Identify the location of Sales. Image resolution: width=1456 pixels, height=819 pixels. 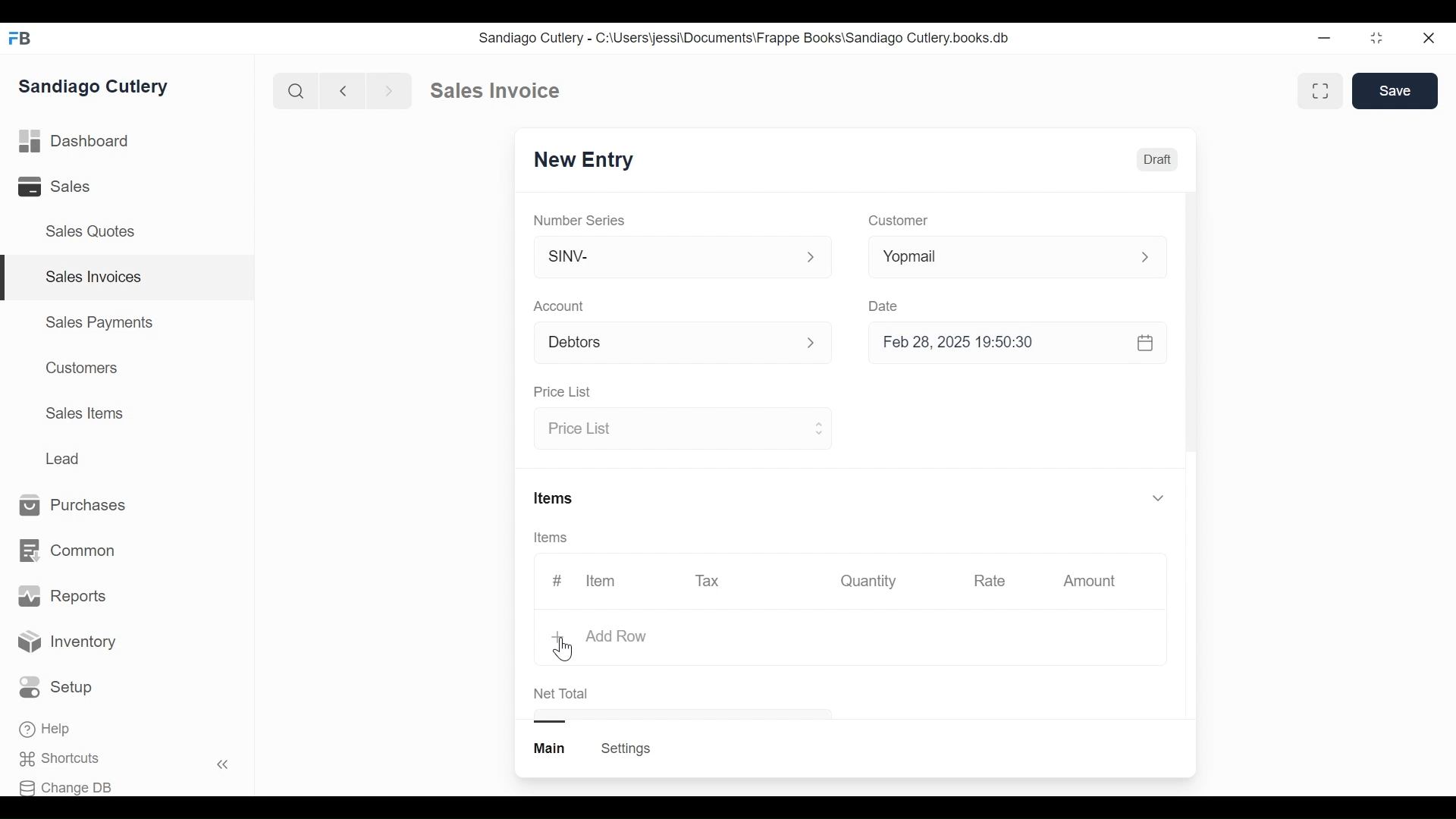
(57, 186).